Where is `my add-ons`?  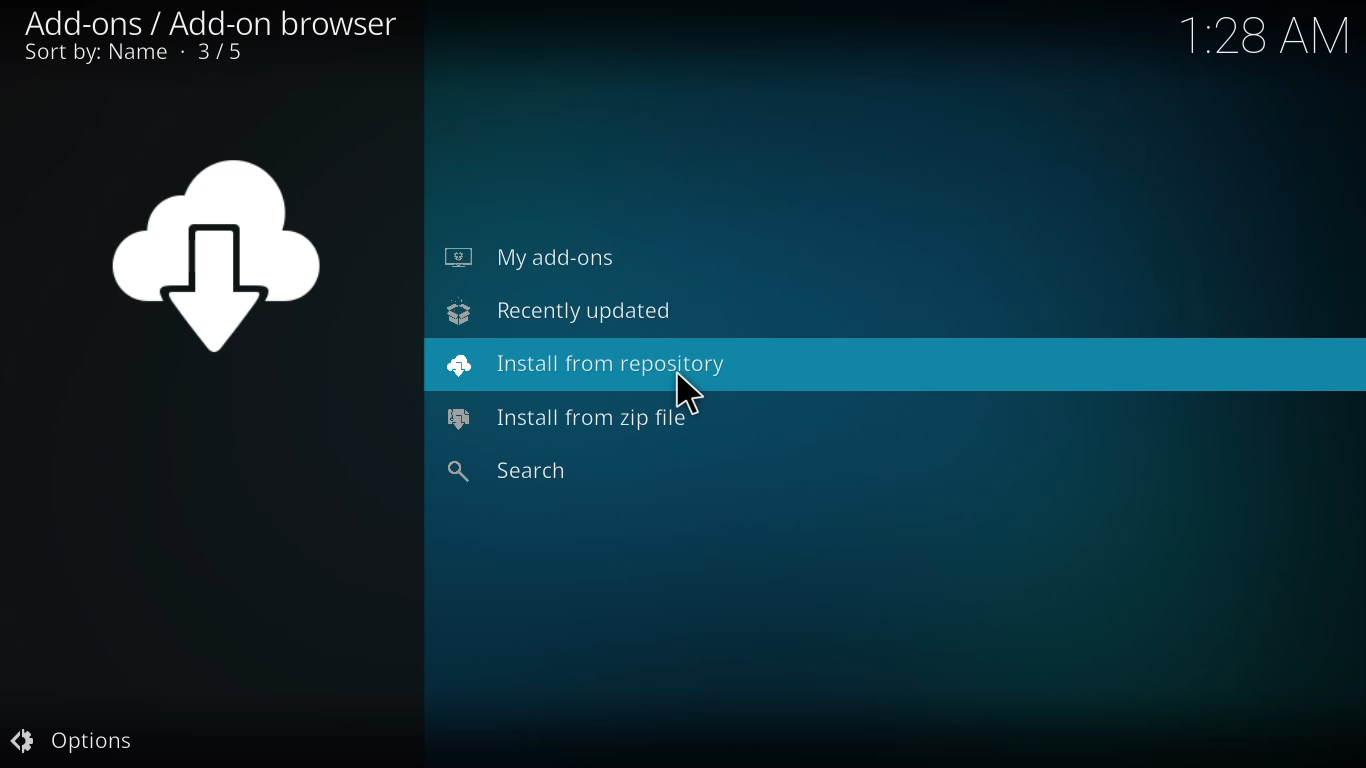 my add-ons is located at coordinates (531, 256).